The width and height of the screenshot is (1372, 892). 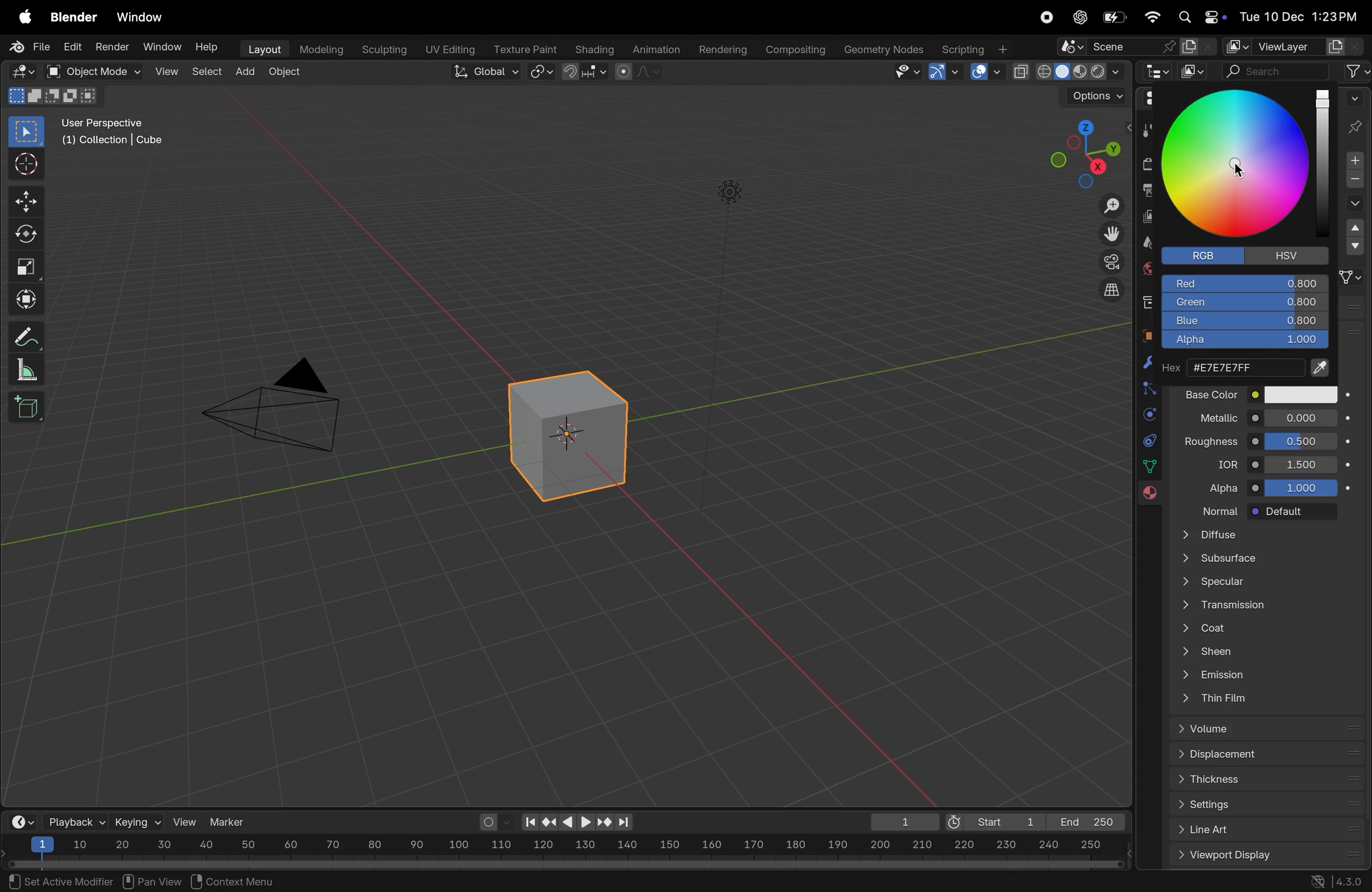 What do you see at coordinates (993, 820) in the screenshot?
I see `Start 1` at bounding box center [993, 820].